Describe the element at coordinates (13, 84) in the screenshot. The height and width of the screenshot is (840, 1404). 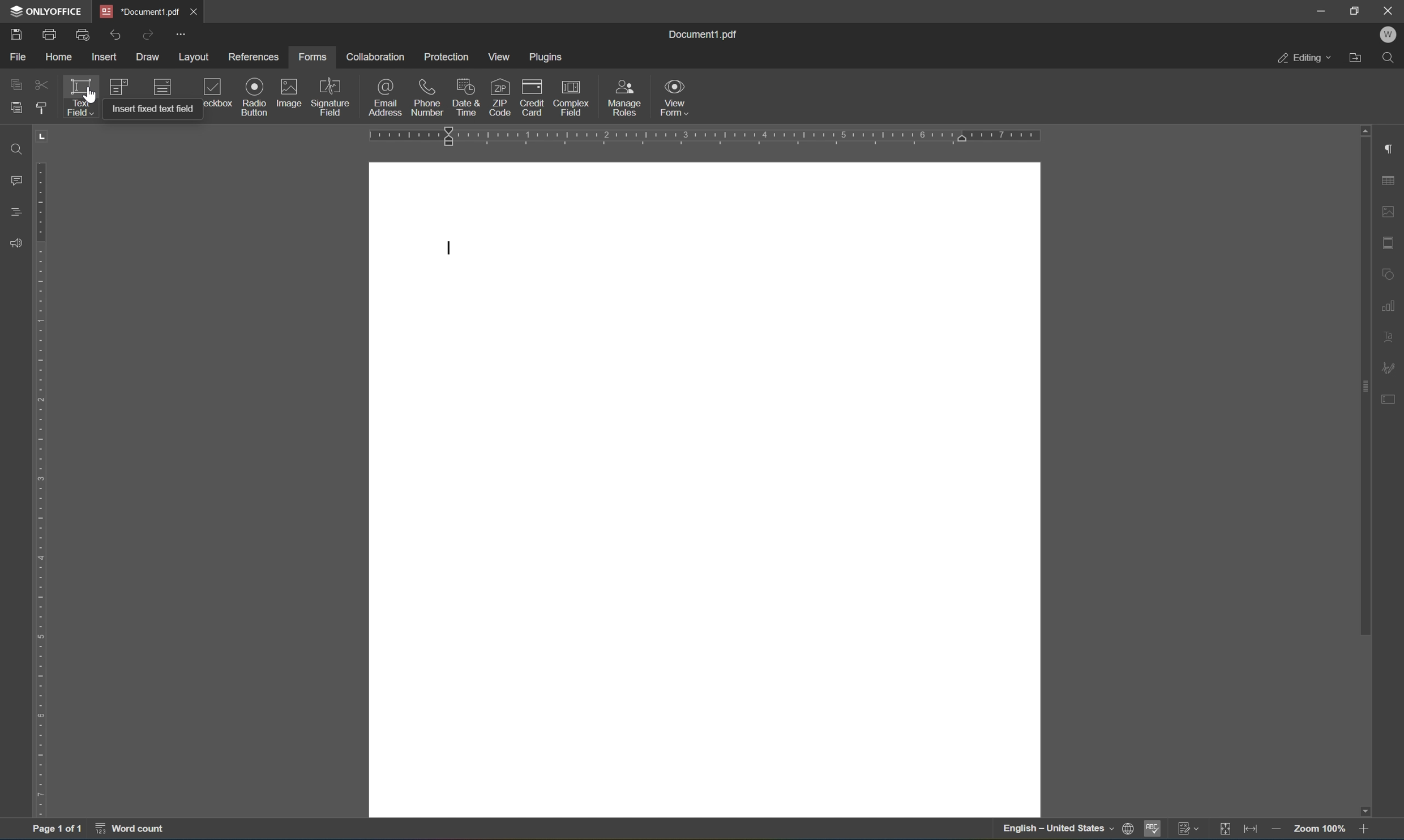
I see `copy` at that location.